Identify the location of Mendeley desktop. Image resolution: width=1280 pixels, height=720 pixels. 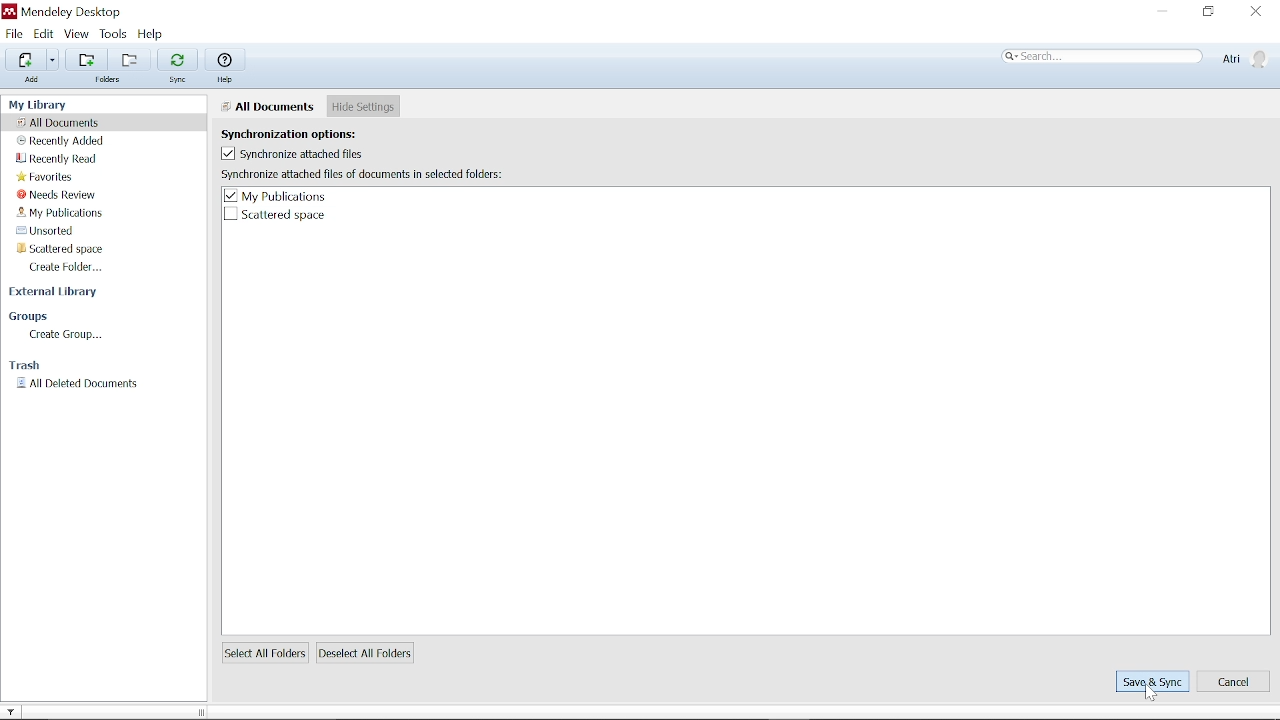
(68, 12).